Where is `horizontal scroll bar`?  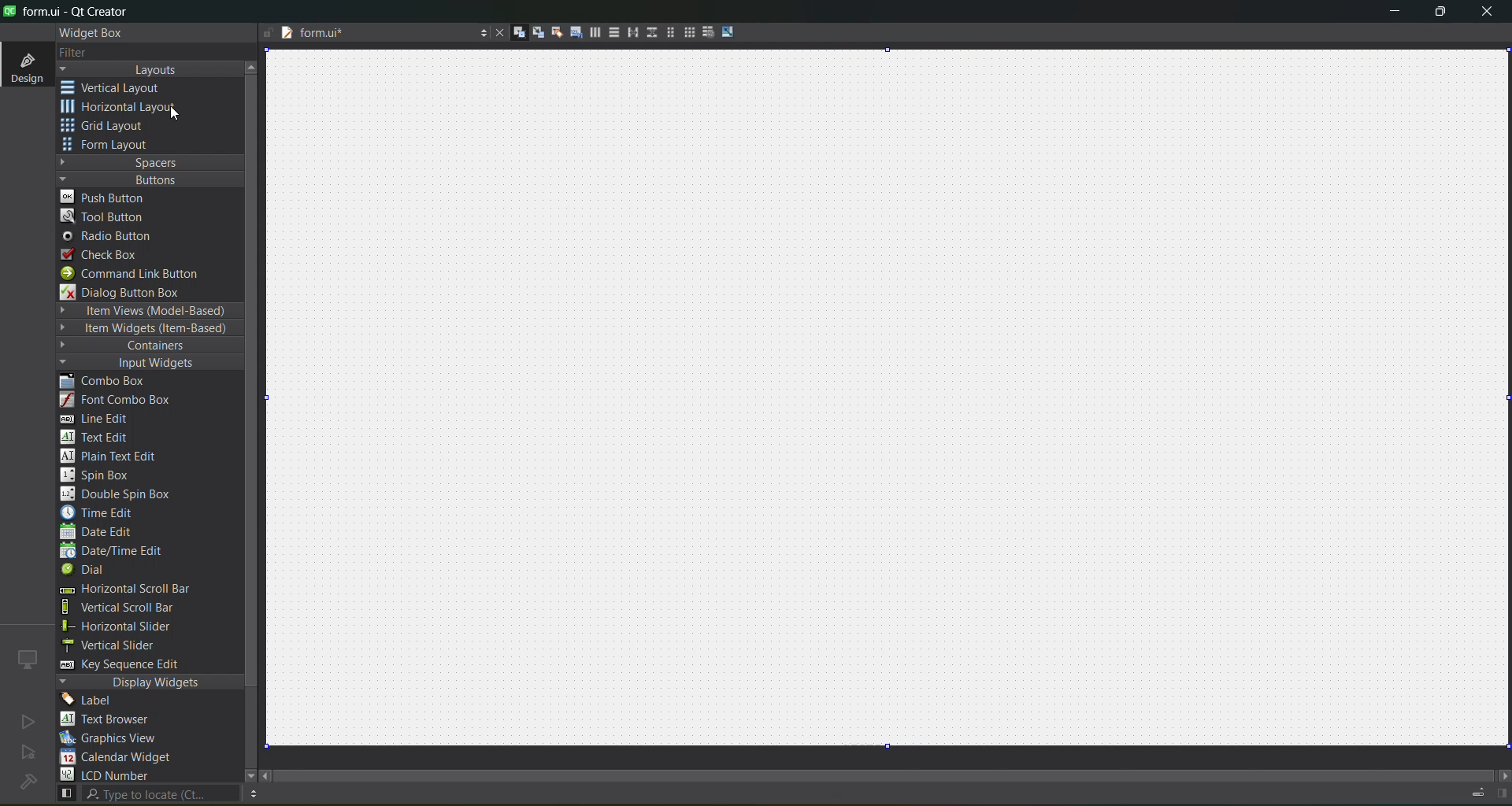 horizontal scroll bar is located at coordinates (124, 590).